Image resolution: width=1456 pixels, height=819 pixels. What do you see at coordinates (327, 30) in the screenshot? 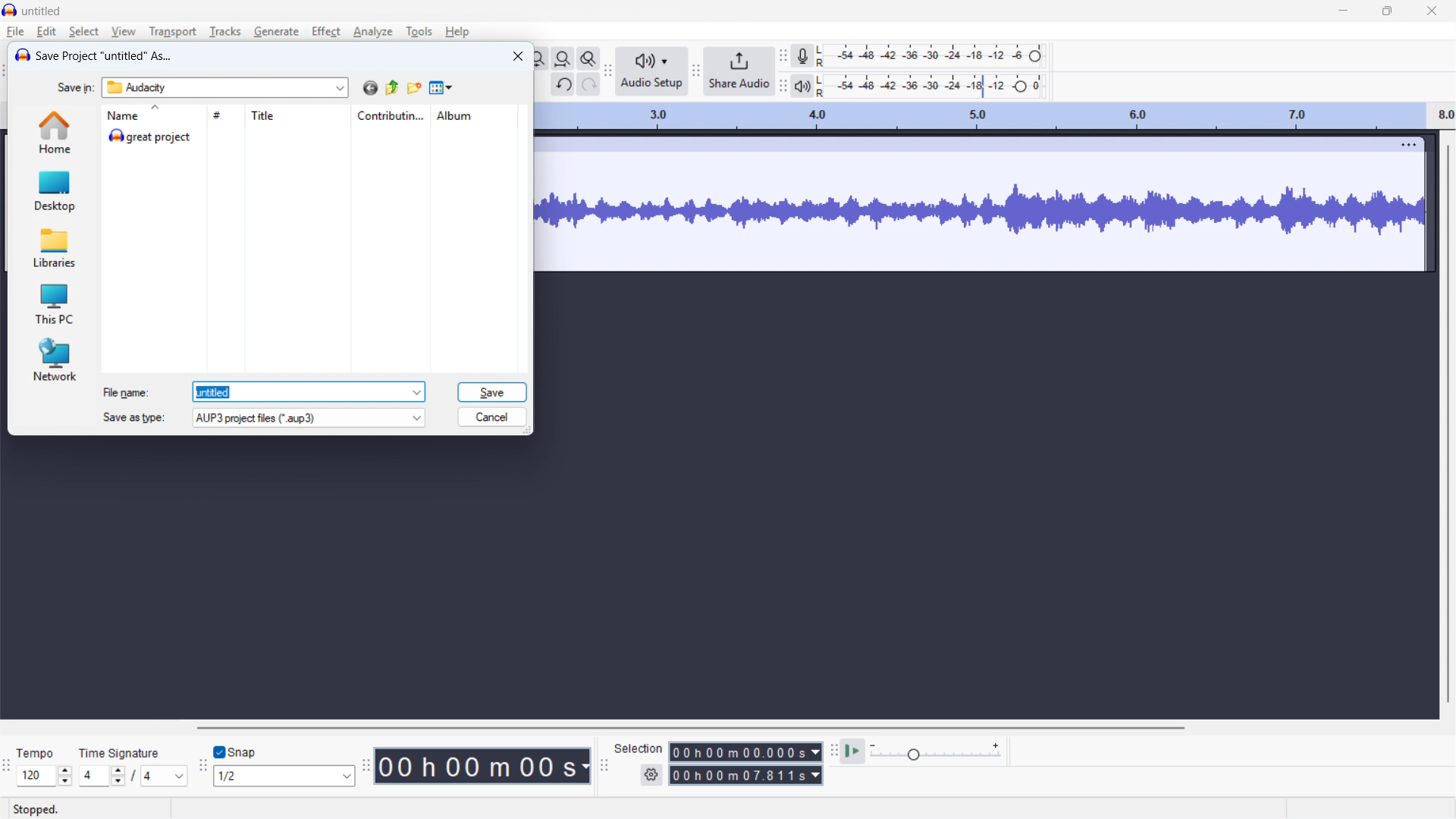
I see `effect` at bounding box center [327, 30].